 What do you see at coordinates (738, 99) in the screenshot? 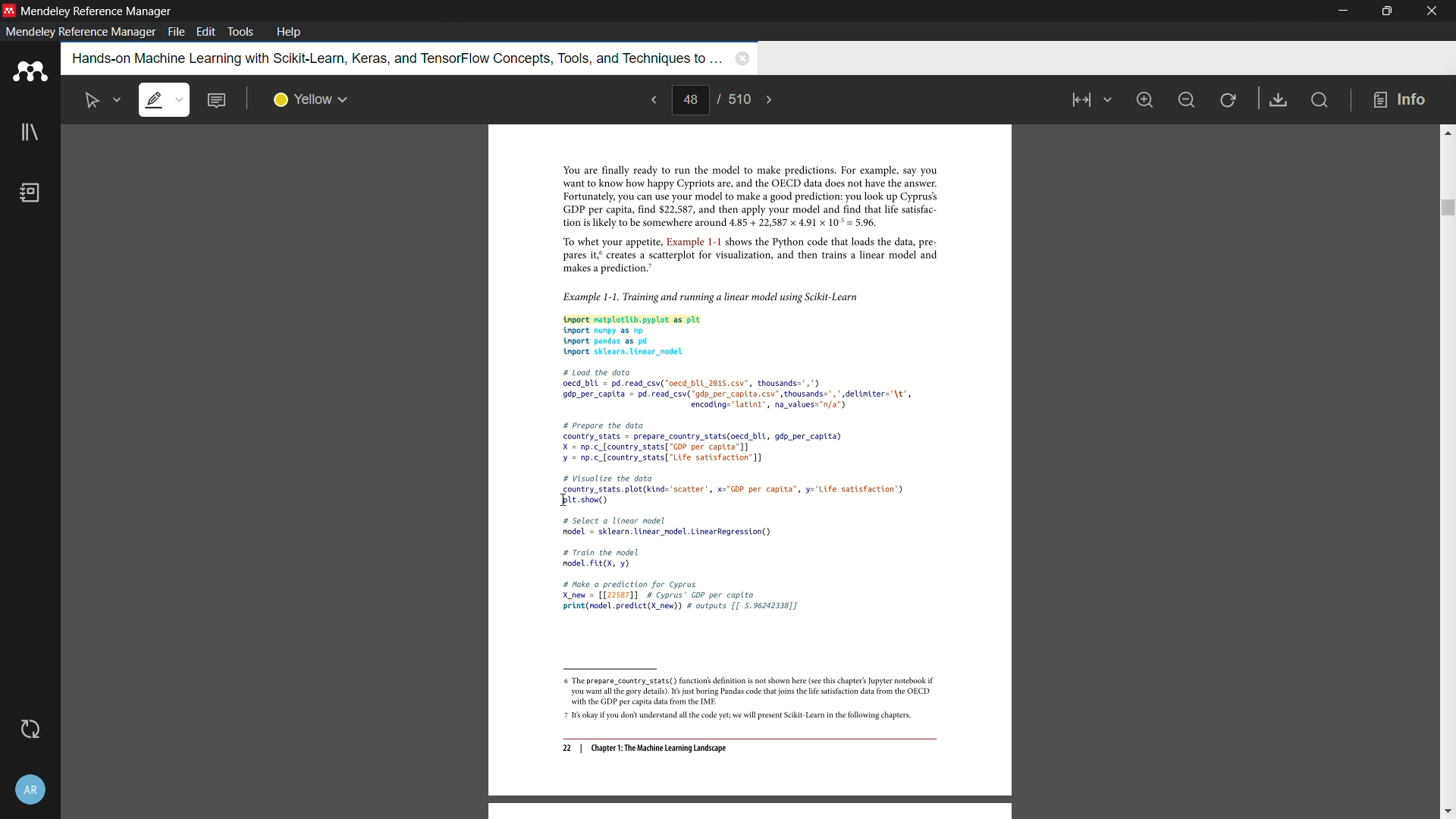
I see `total page` at bounding box center [738, 99].